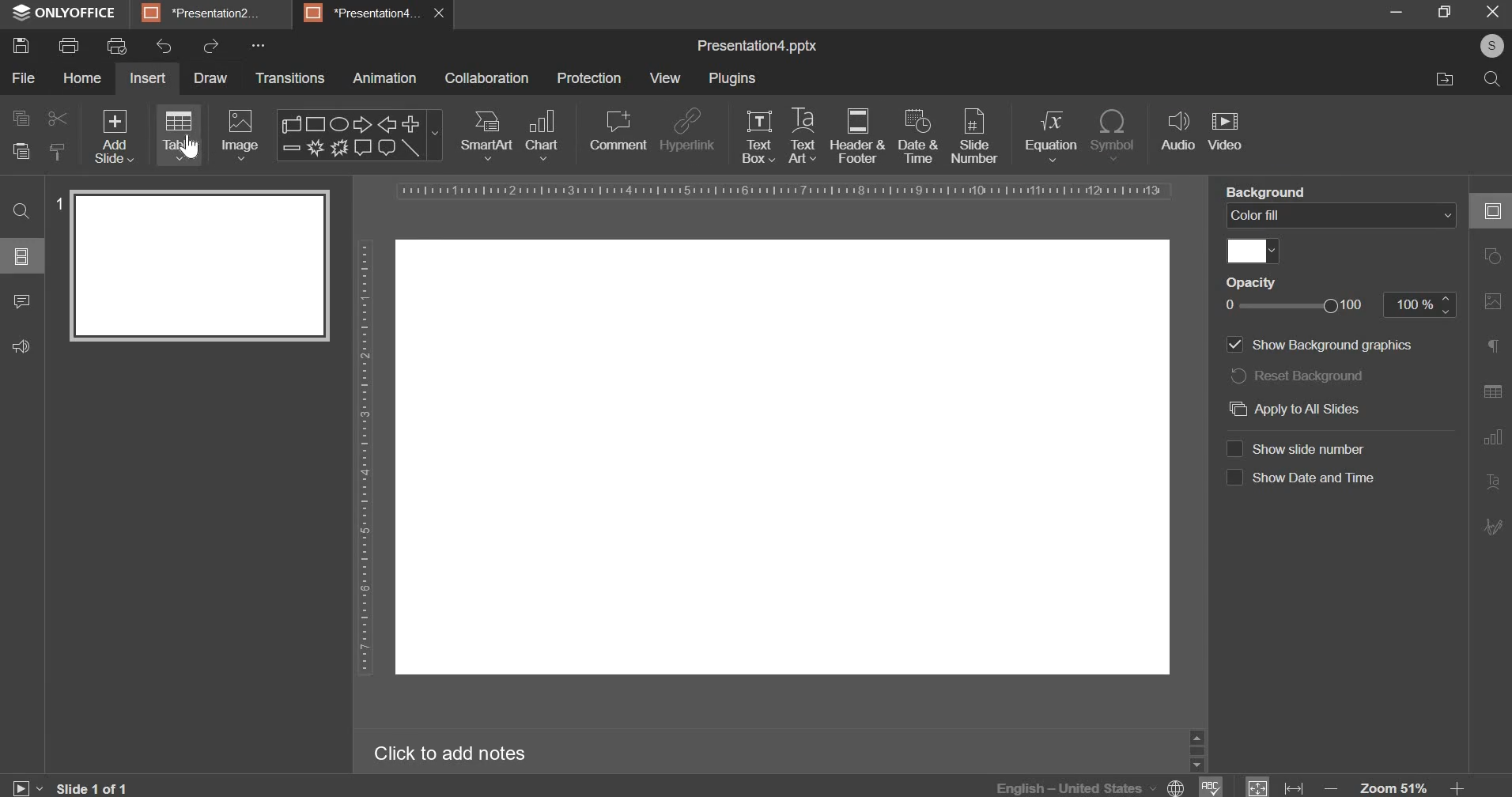 This screenshot has height=797, width=1512. What do you see at coordinates (23, 346) in the screenshot?
I see `feedback ` at bounding box center [23, 346].